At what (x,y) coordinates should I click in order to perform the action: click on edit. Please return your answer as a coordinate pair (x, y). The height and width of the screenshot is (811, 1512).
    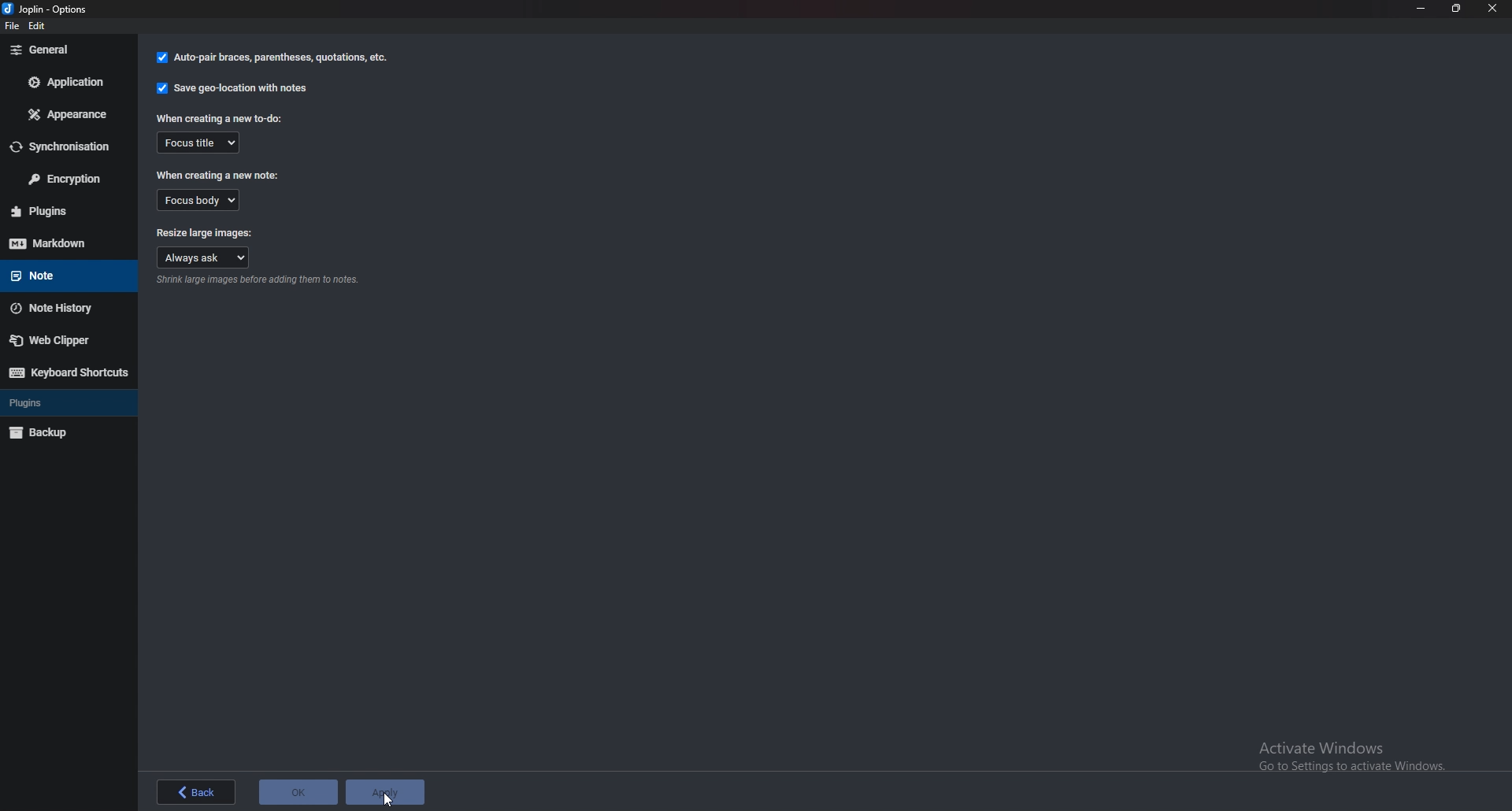
    Looking at the image, I should click on (39, 25).